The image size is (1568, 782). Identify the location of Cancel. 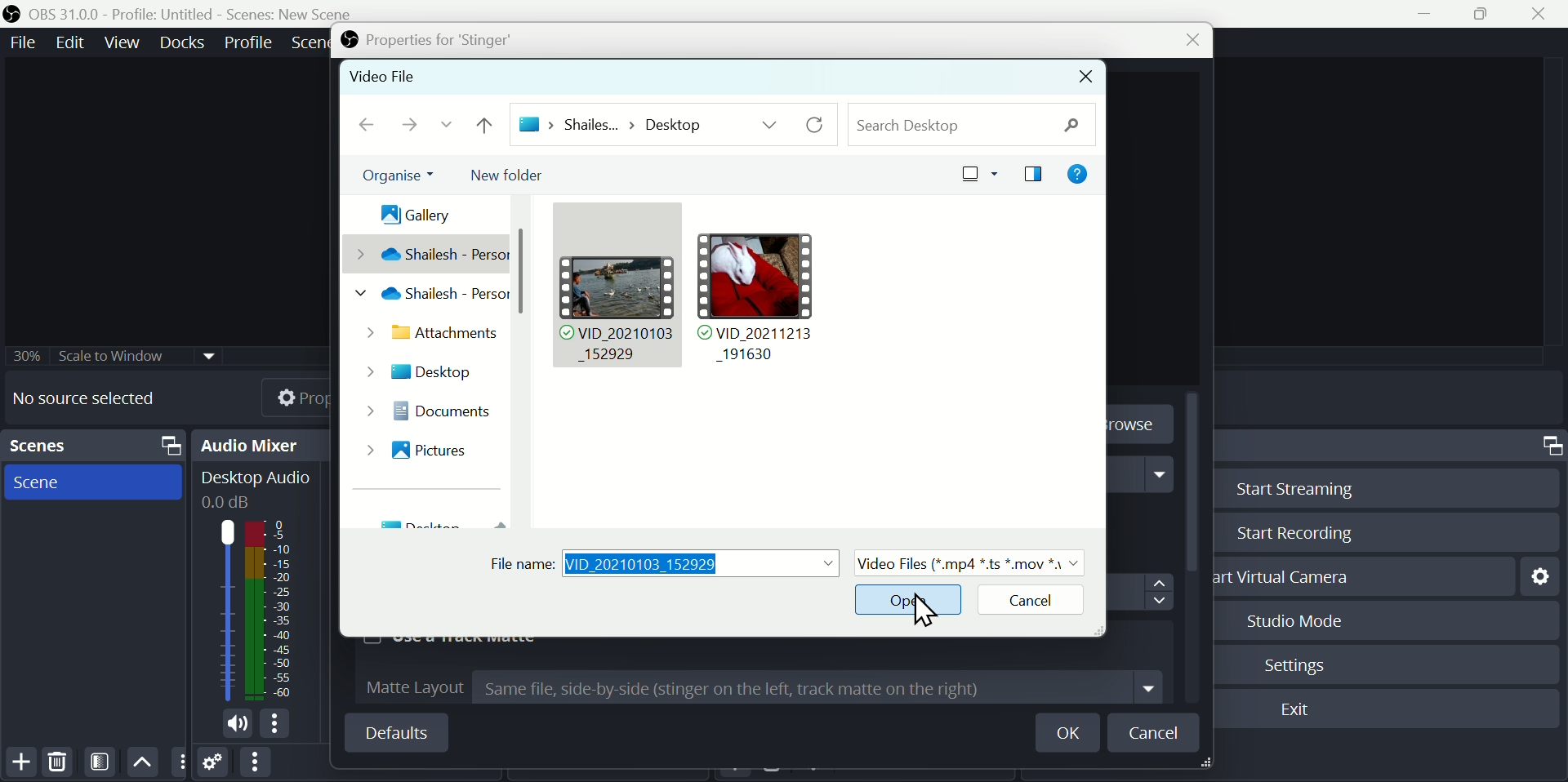
(1024, 602).